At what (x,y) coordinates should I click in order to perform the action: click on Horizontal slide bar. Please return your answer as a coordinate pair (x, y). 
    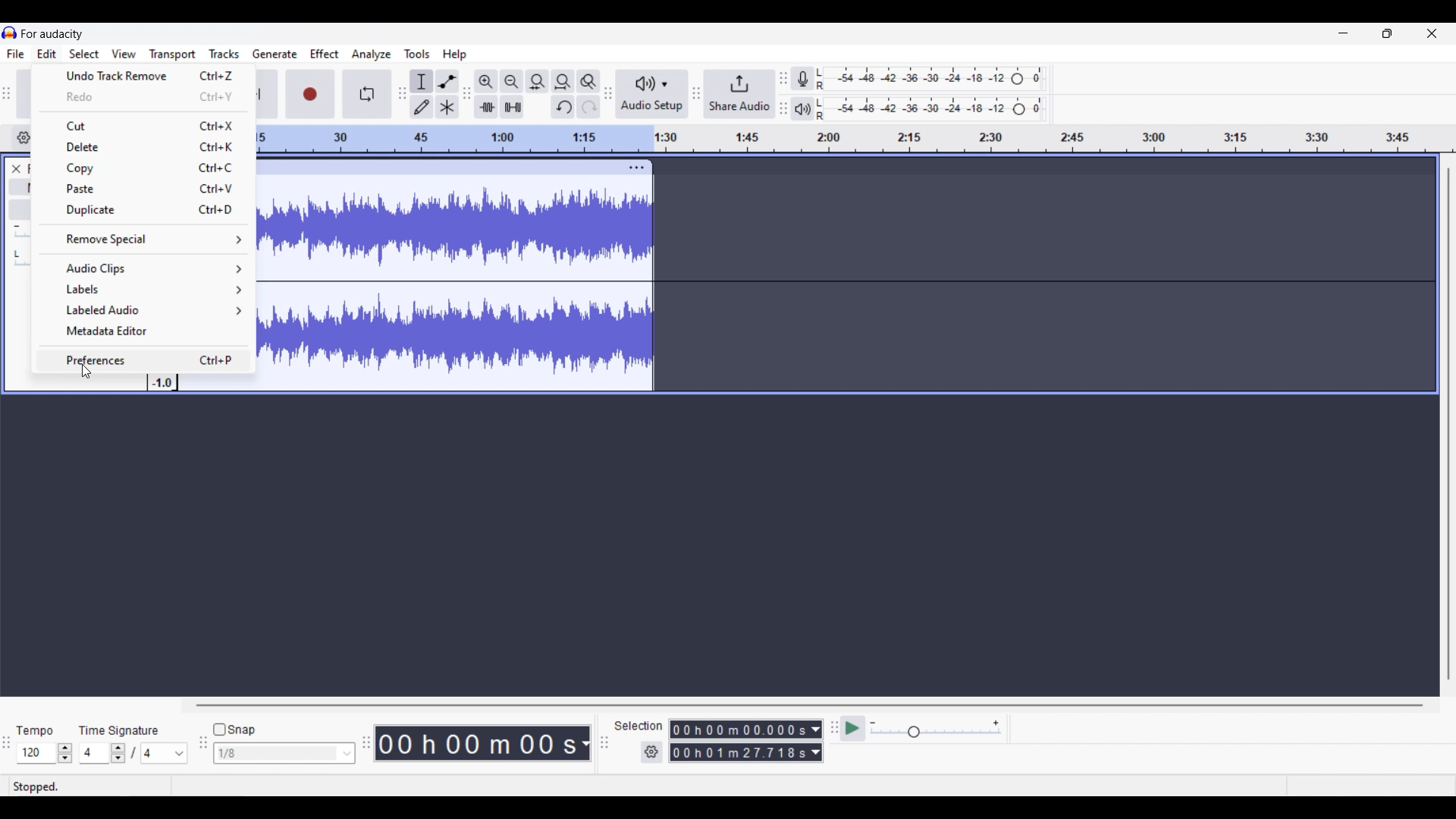
    Looking at the image, I should click on (809, 704).